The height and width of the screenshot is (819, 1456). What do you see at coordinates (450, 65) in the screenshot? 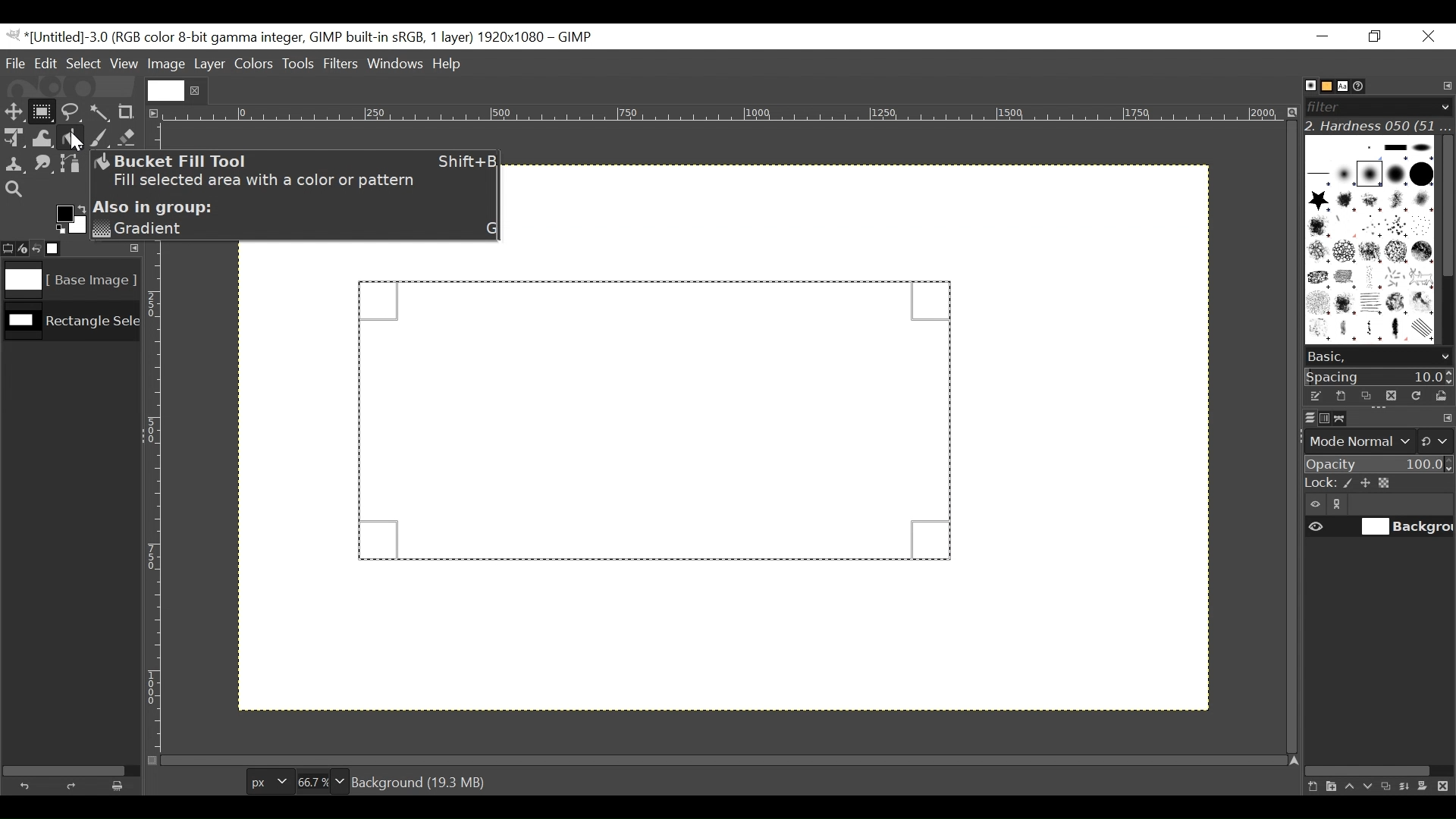
I see `Help` at bounding box center [450, 65].